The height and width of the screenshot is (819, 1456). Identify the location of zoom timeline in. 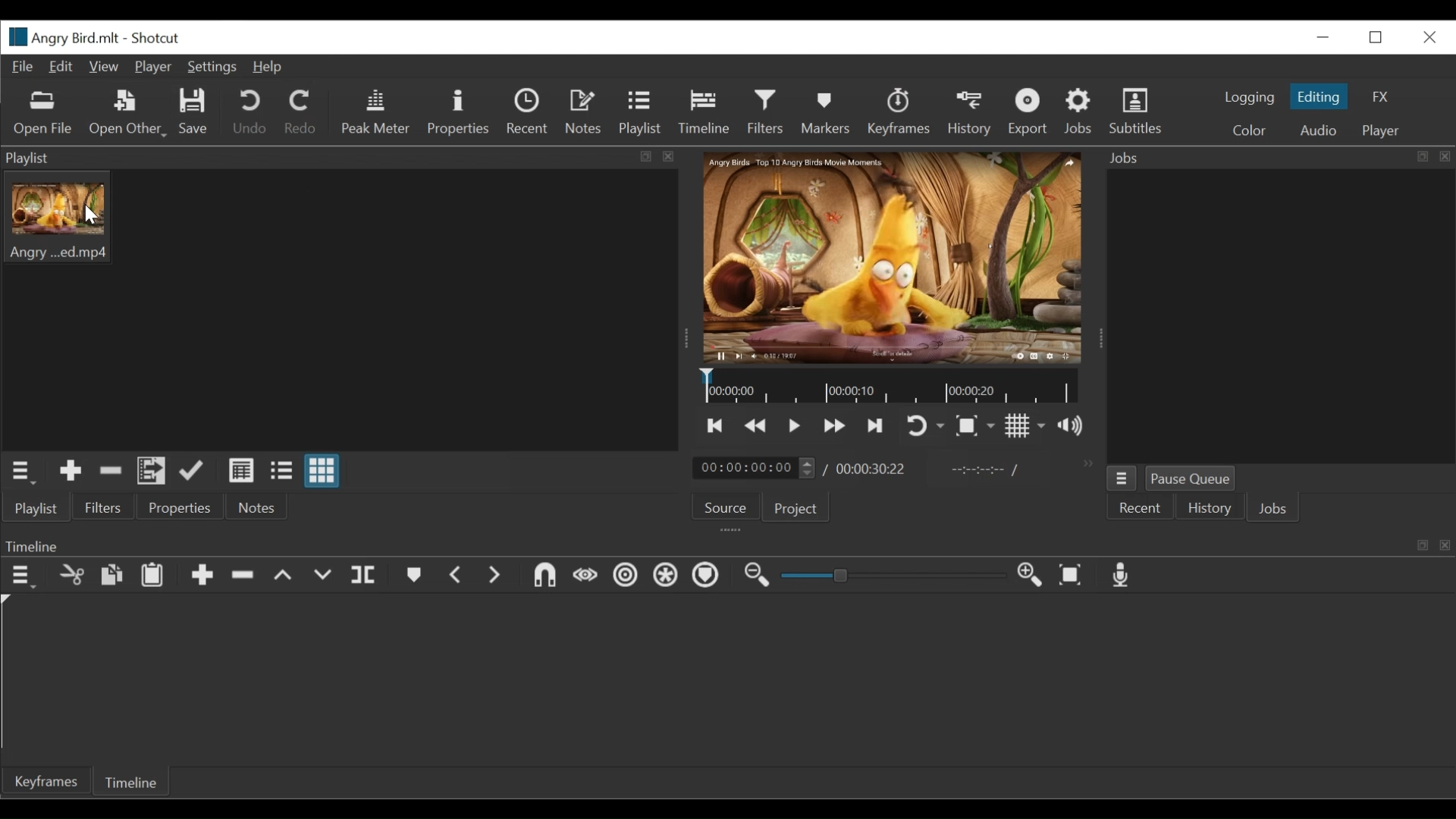
(1030, 575).